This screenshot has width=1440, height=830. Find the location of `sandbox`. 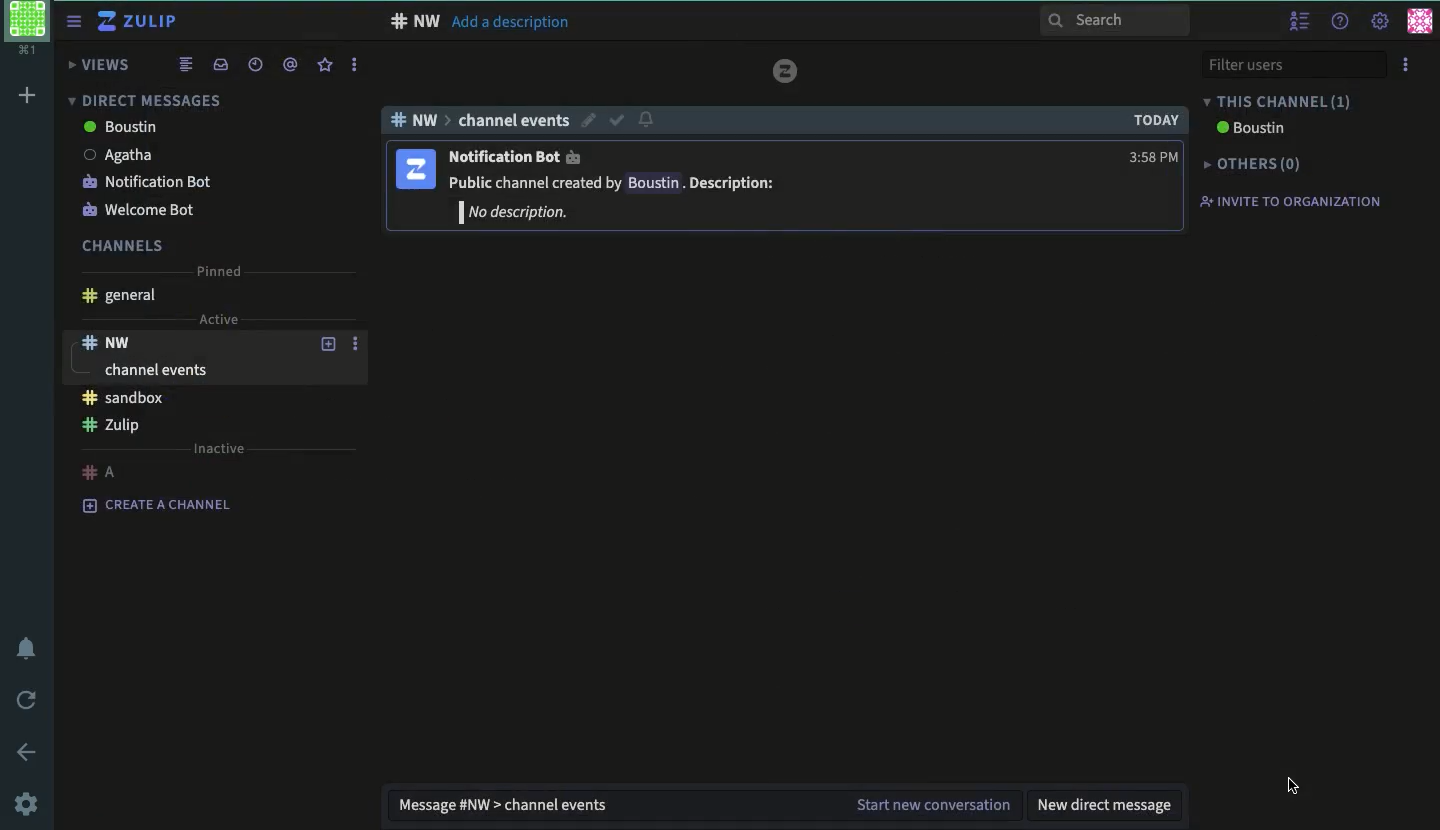

sandbox is located at coordinates (123, 397).